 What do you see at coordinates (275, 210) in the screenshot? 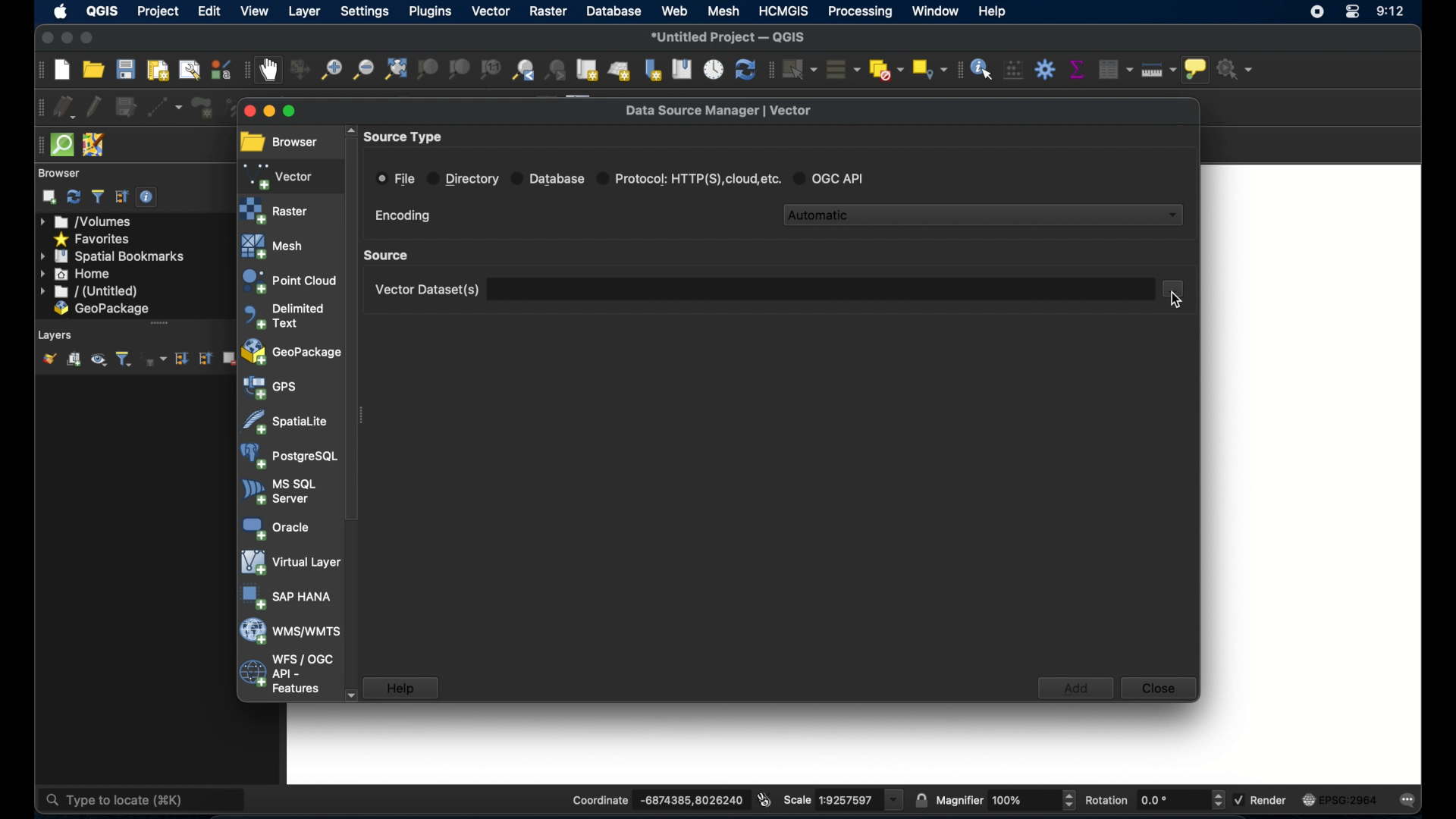
I see `raster` at bounding box center [275, 210].